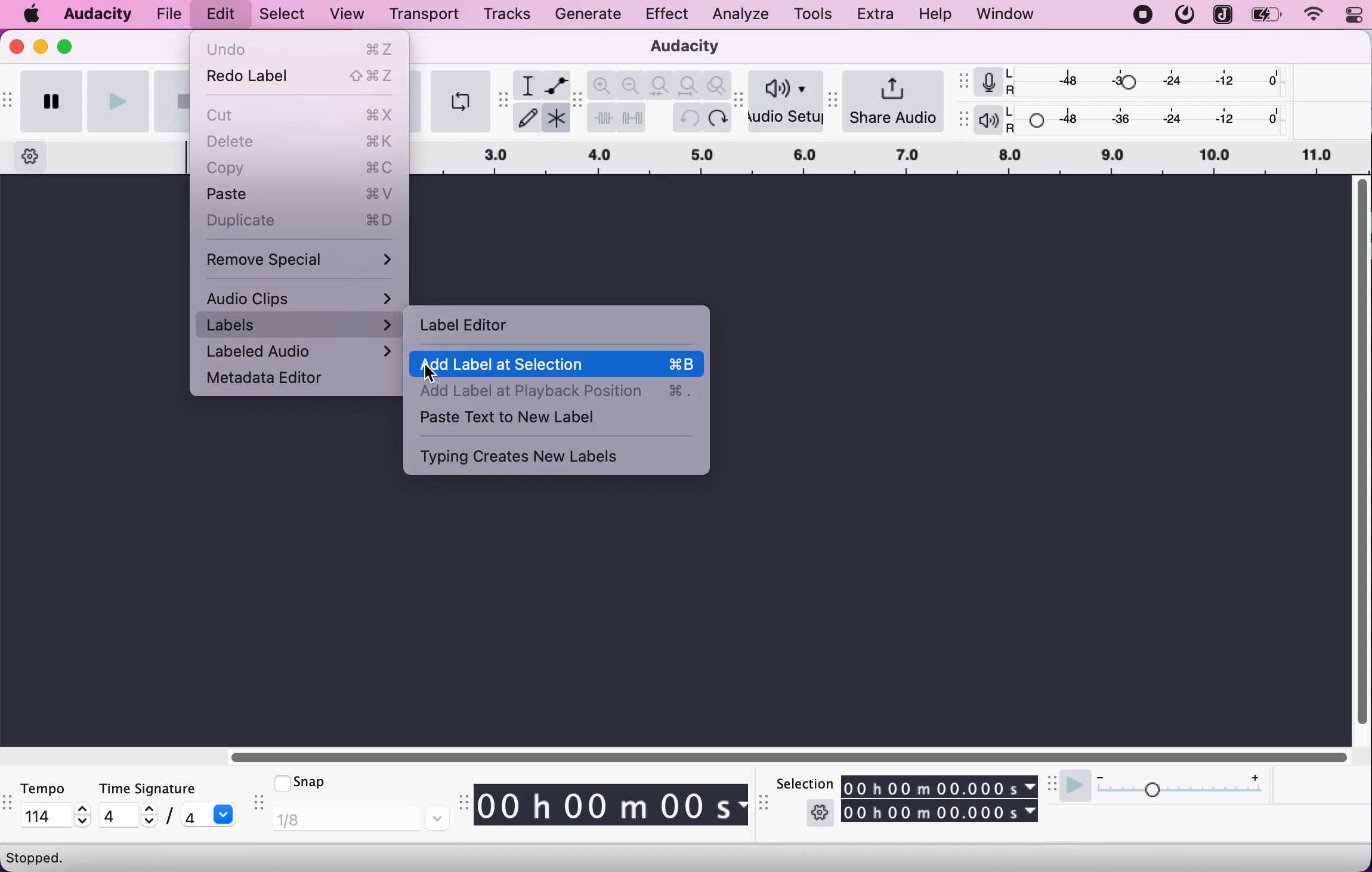  I want to click on panel control, so click(1348, 16).